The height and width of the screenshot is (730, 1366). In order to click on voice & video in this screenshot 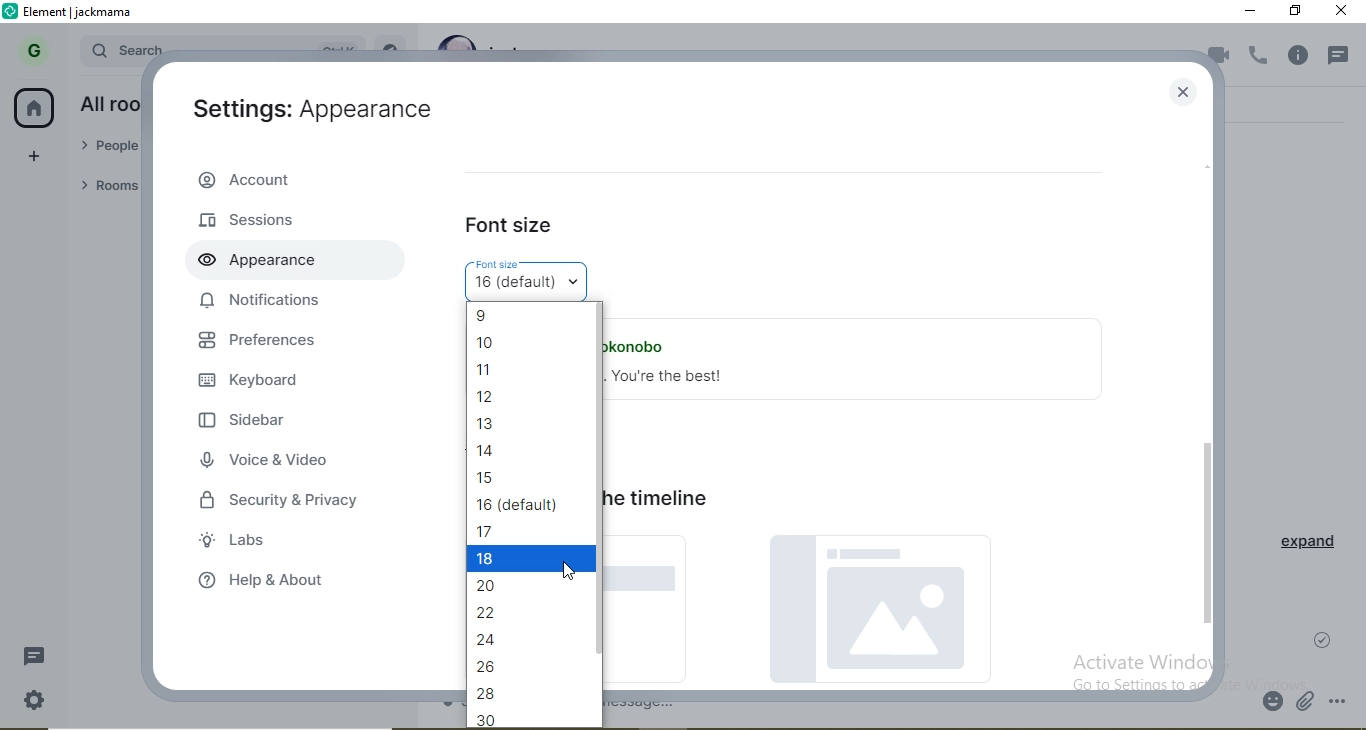, I will do `click(266, 461)`.